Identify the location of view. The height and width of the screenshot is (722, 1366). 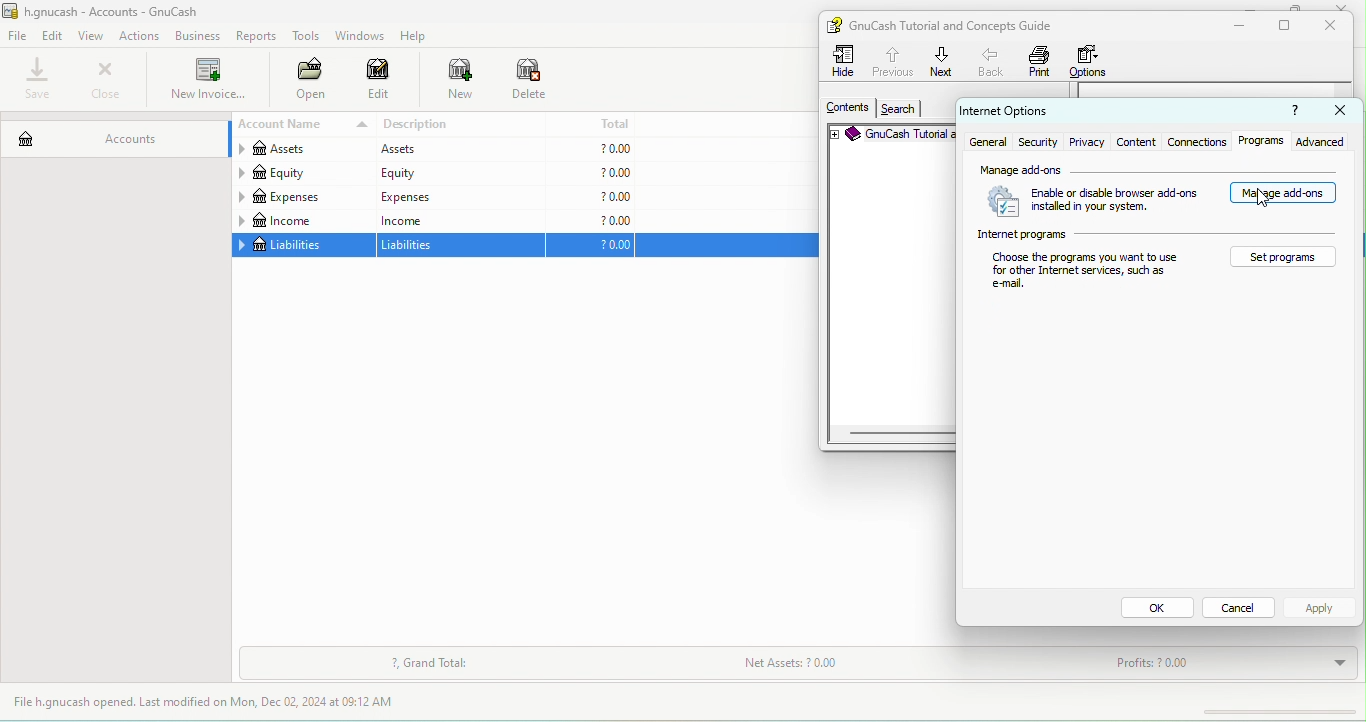
(94, 36).